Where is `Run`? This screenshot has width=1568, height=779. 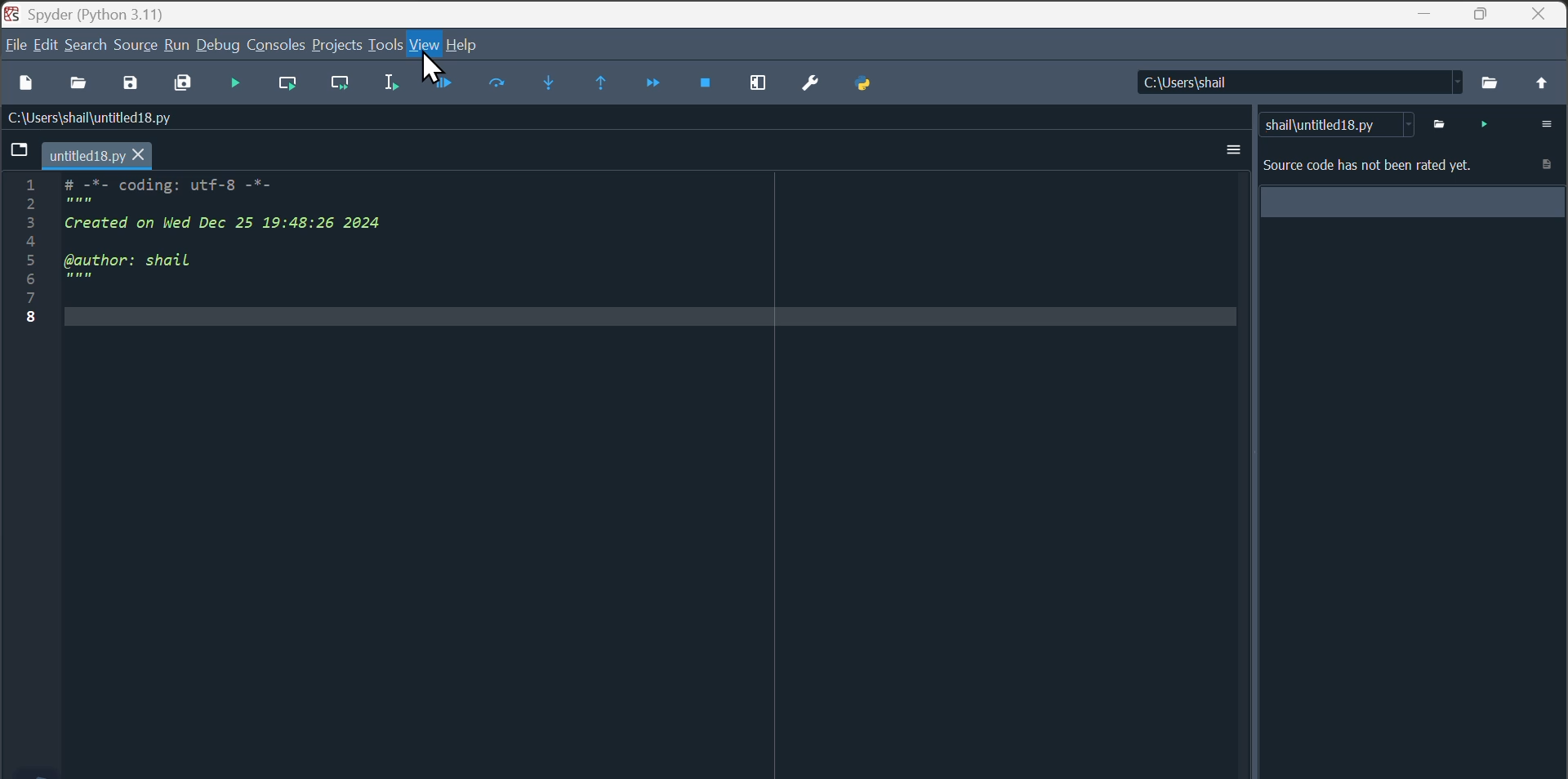 Run is located at coordinates (175, 47).